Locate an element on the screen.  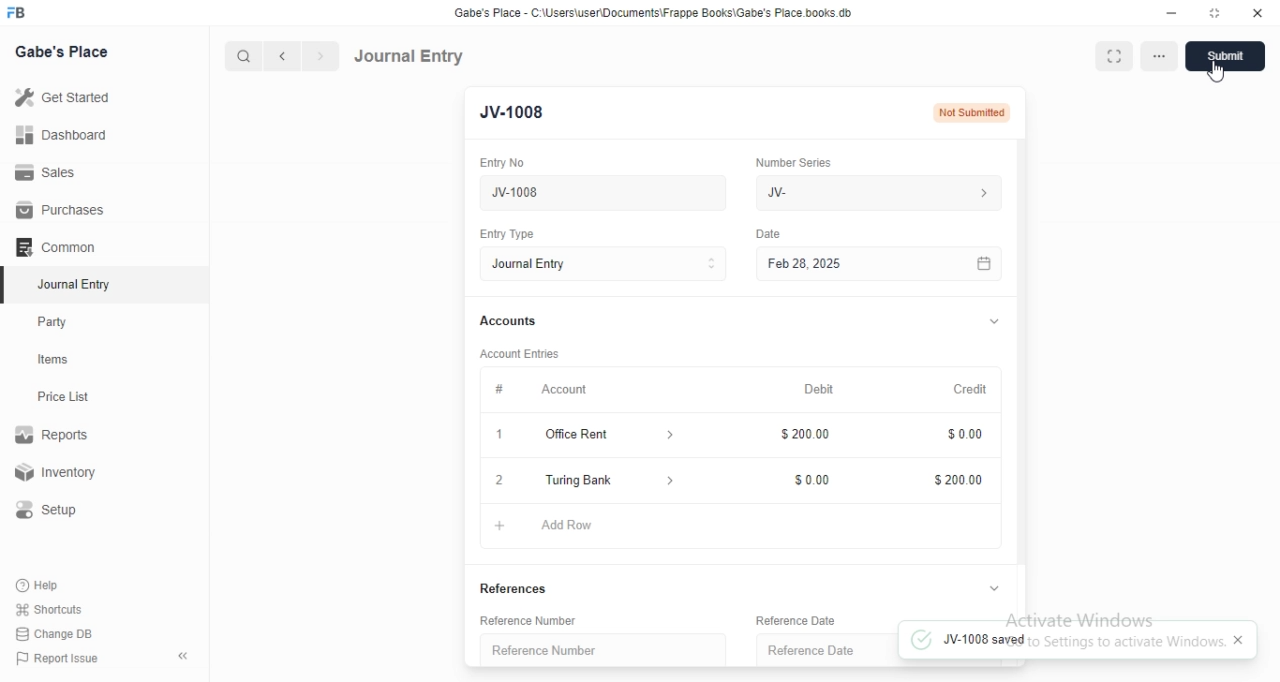
« is located at coordinates (185, 657).